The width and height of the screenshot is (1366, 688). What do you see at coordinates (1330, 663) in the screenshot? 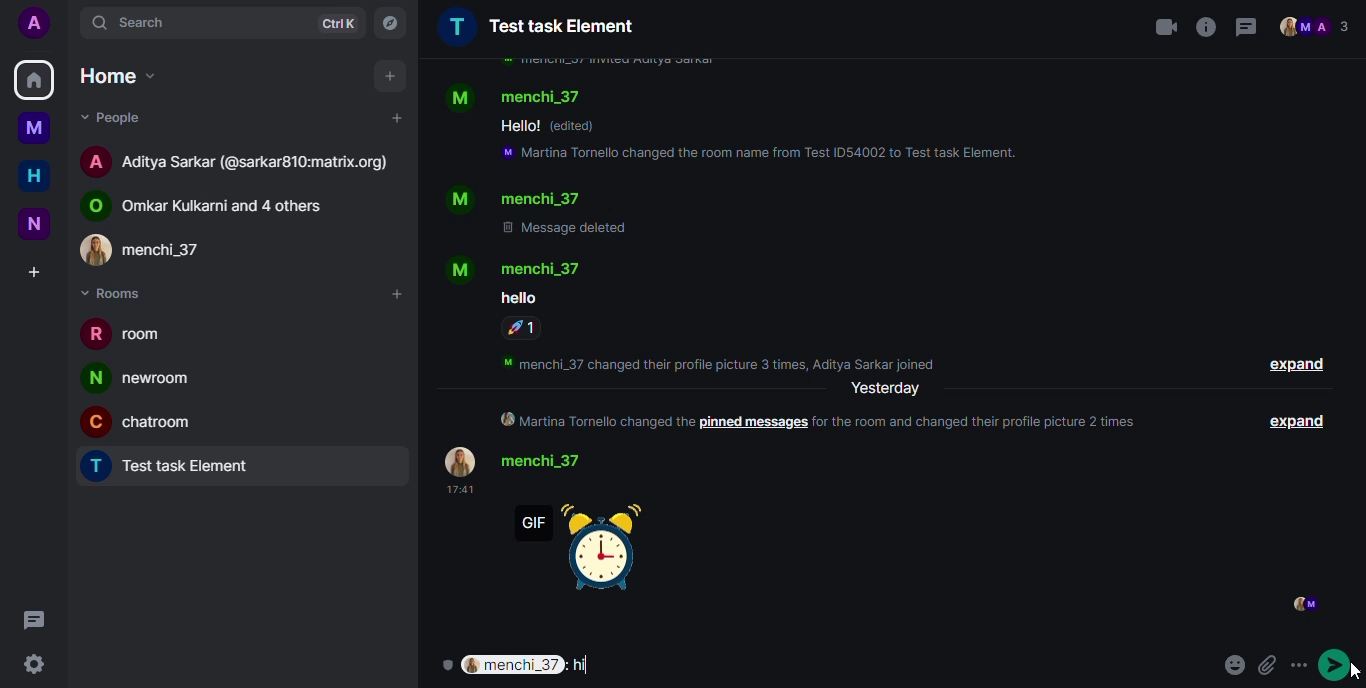
I see `send` at bounding box center [1330, 663].